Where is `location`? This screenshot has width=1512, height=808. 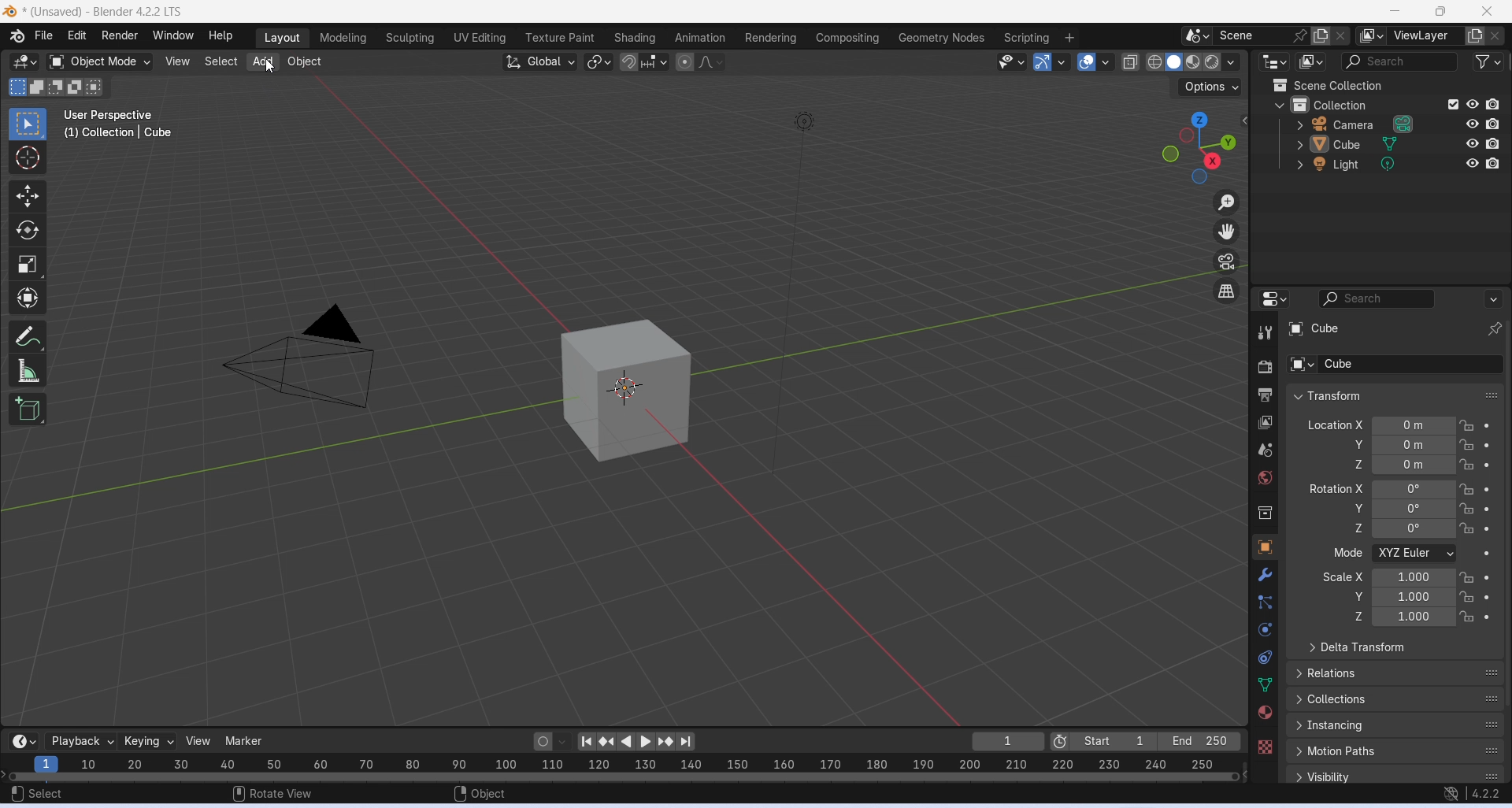 location is located at coordinates (1414, 465).